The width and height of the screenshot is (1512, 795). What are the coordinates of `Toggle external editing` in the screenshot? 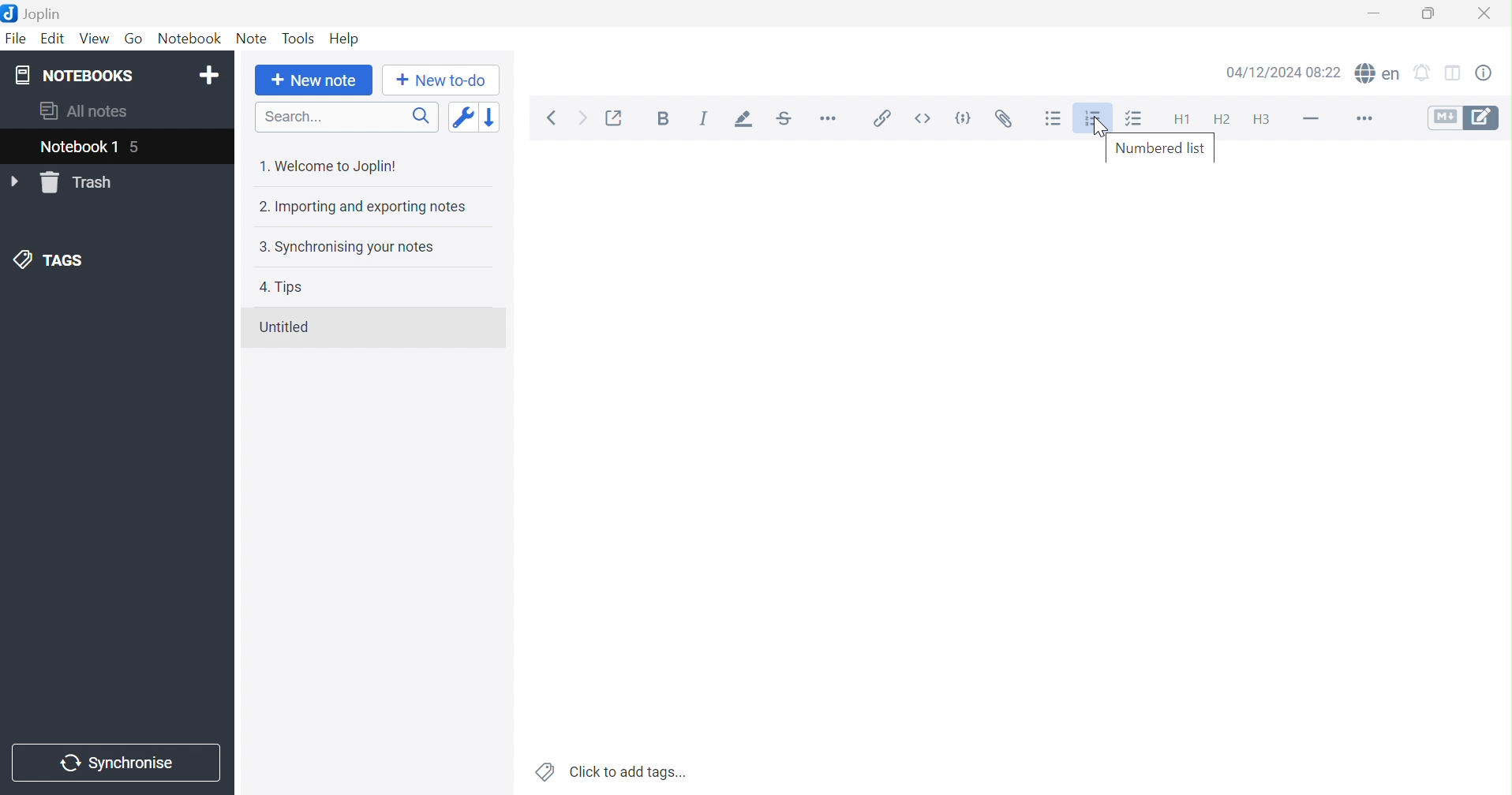 It's located at (616, 117).